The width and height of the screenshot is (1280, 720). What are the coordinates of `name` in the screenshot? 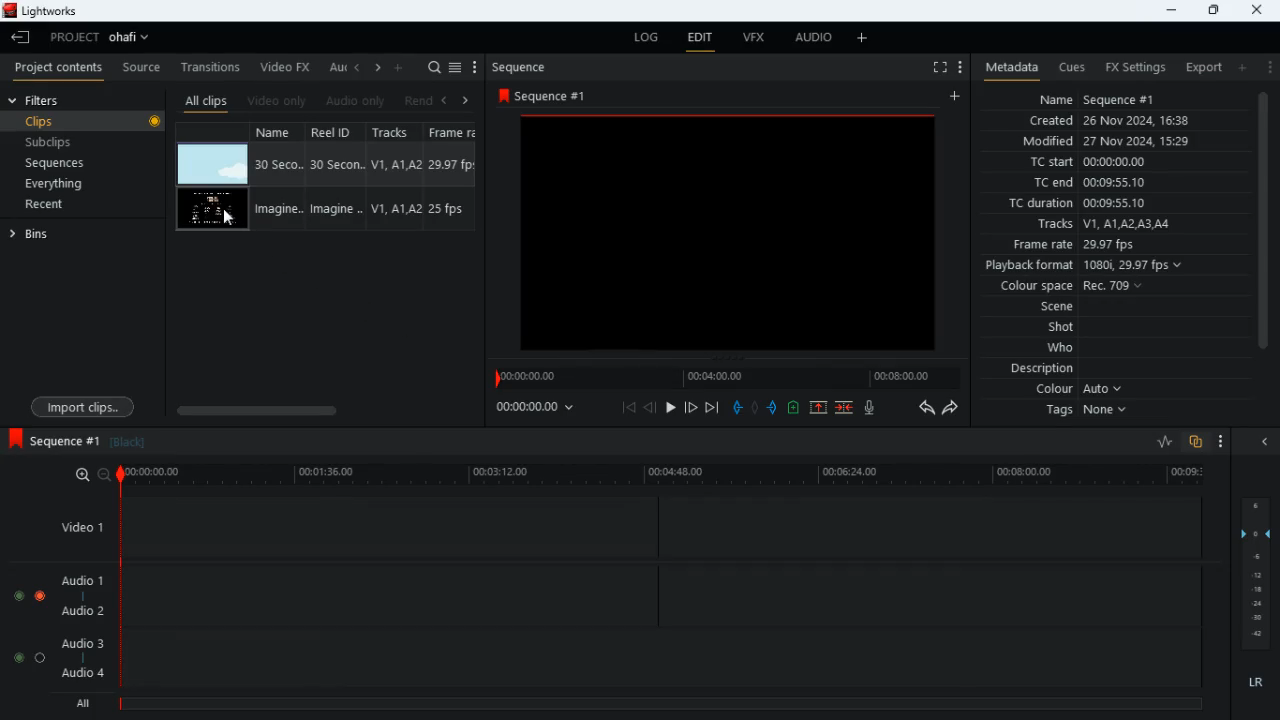 It's located at (1098, 97).